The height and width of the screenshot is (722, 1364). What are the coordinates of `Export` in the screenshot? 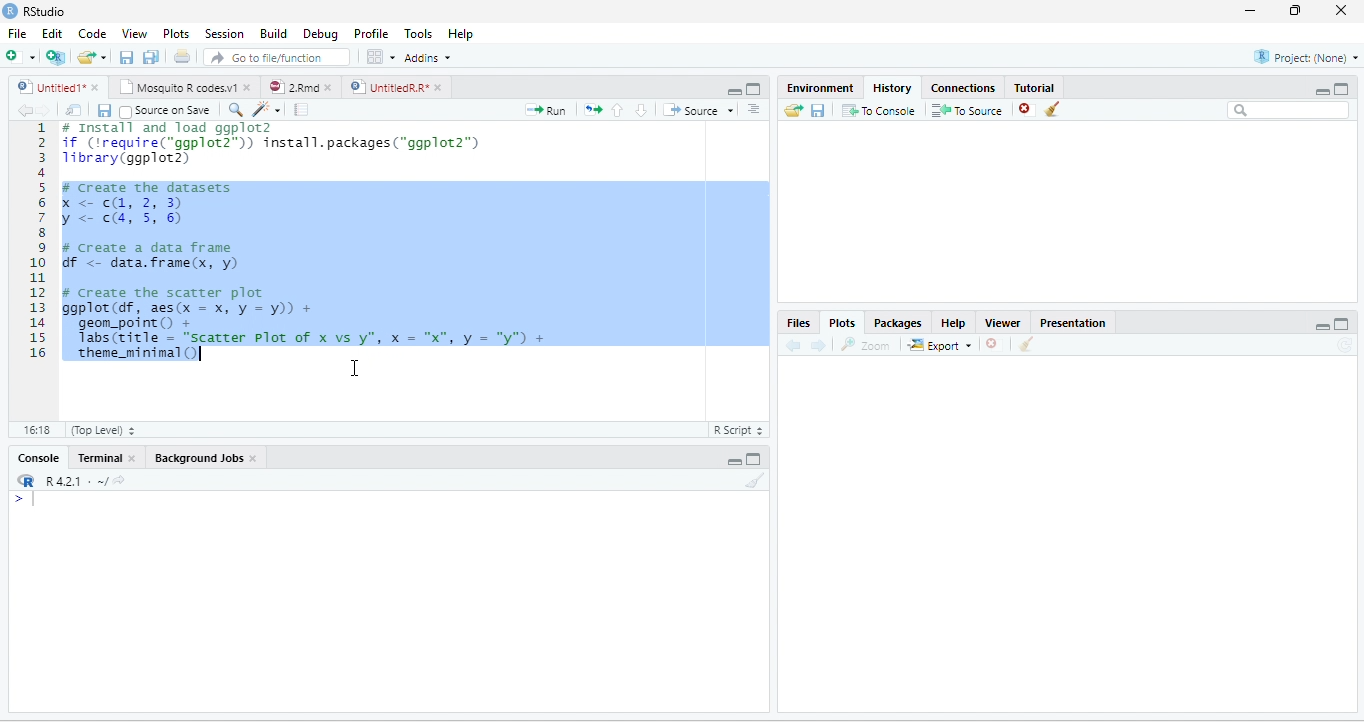 It's located at (939, 345).